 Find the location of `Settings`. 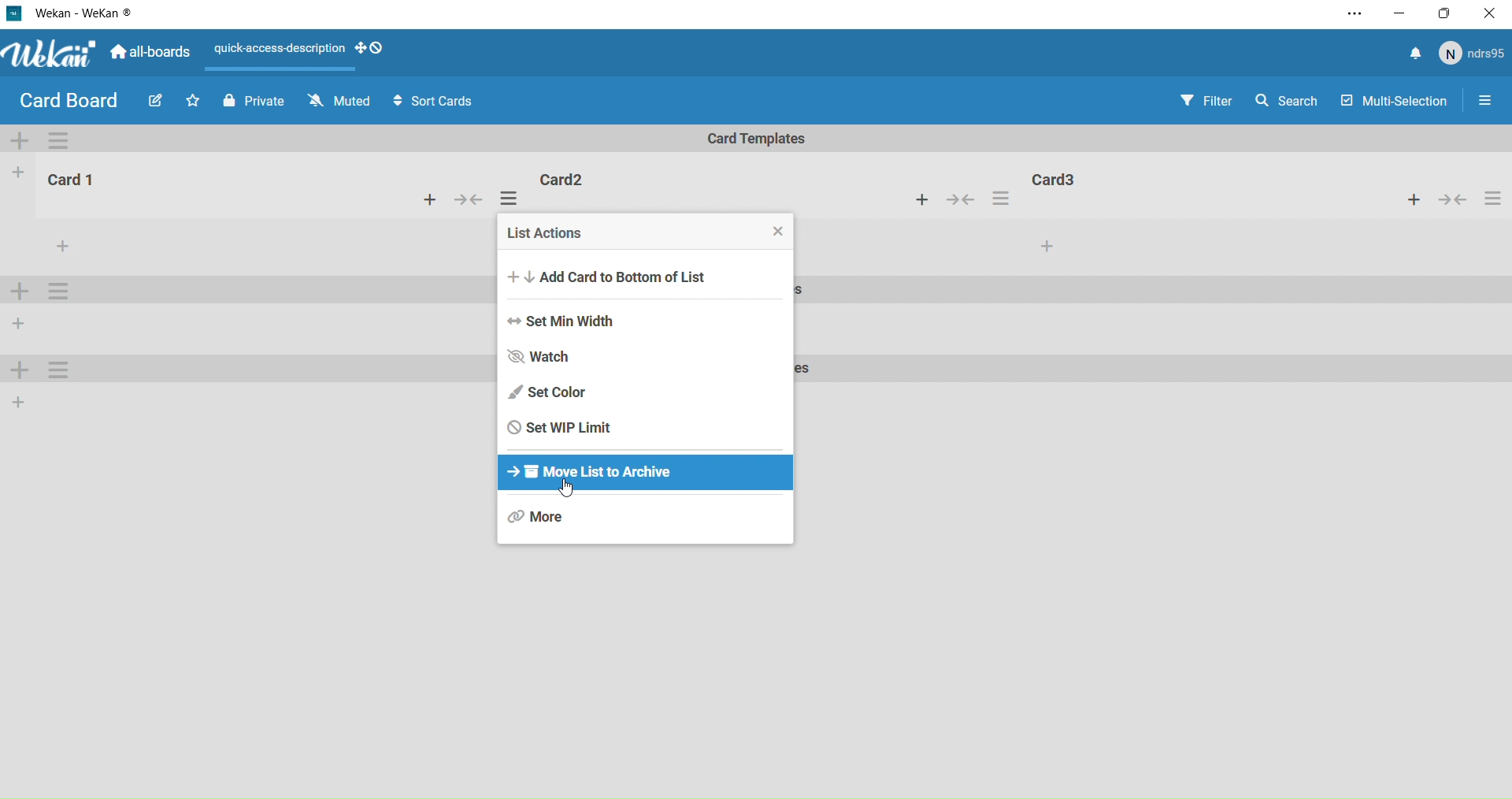

Settings is located at coordinates (1486, 105).